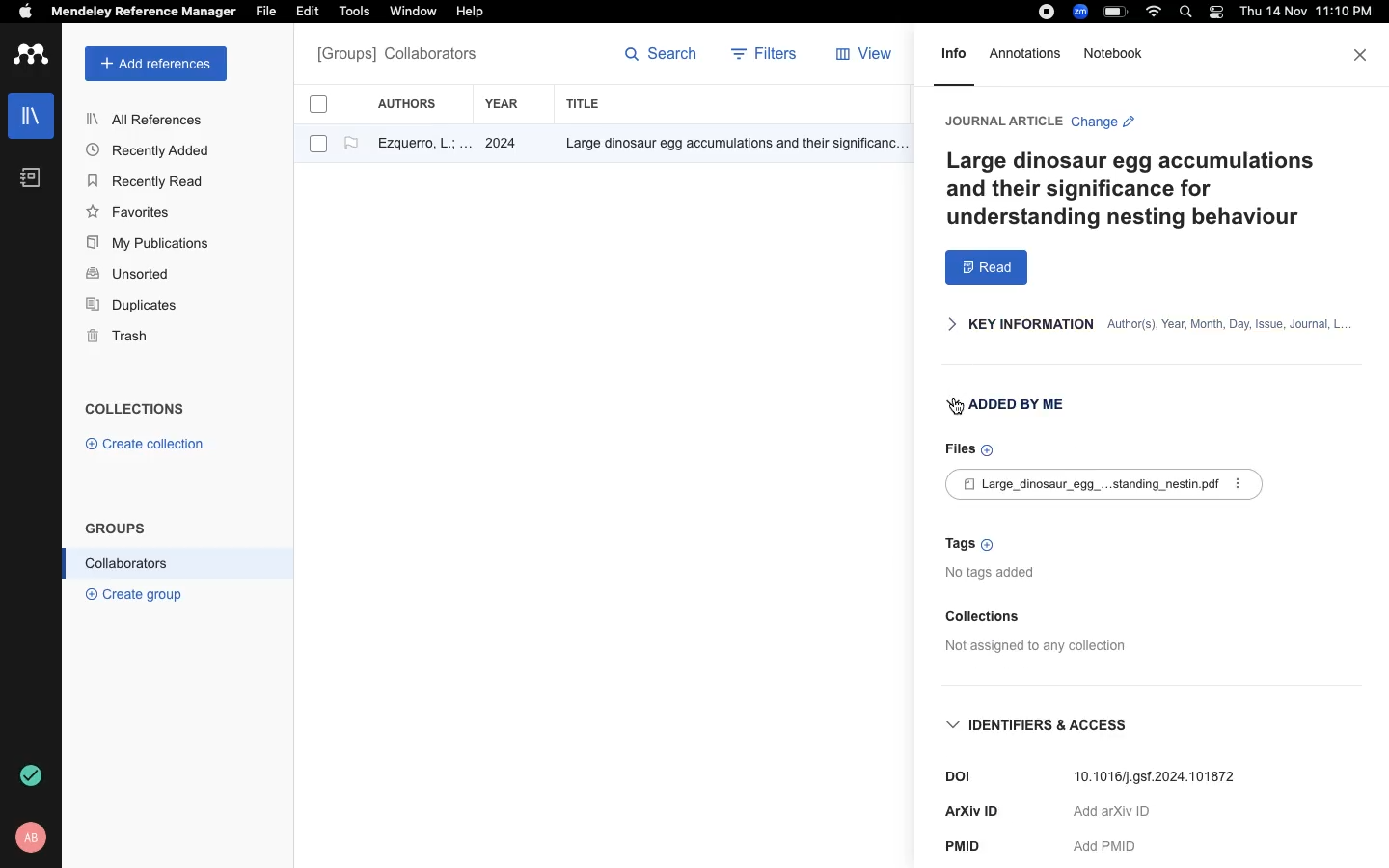 This screenshot has width=1389, height=868. I want to click on COLLECTIONS, so click(135, 411).